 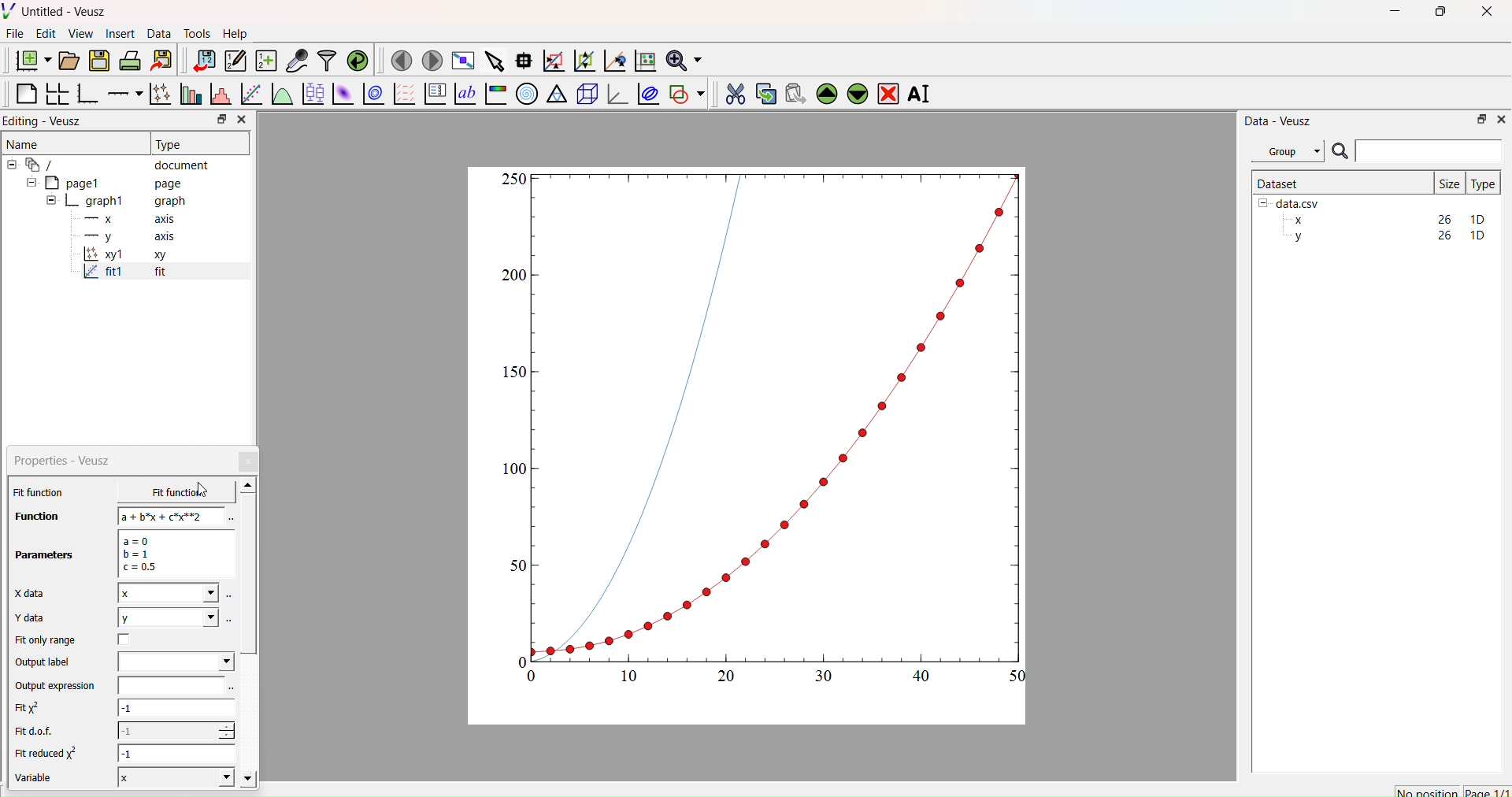 I want to click on x , so click(x=168, y=593).